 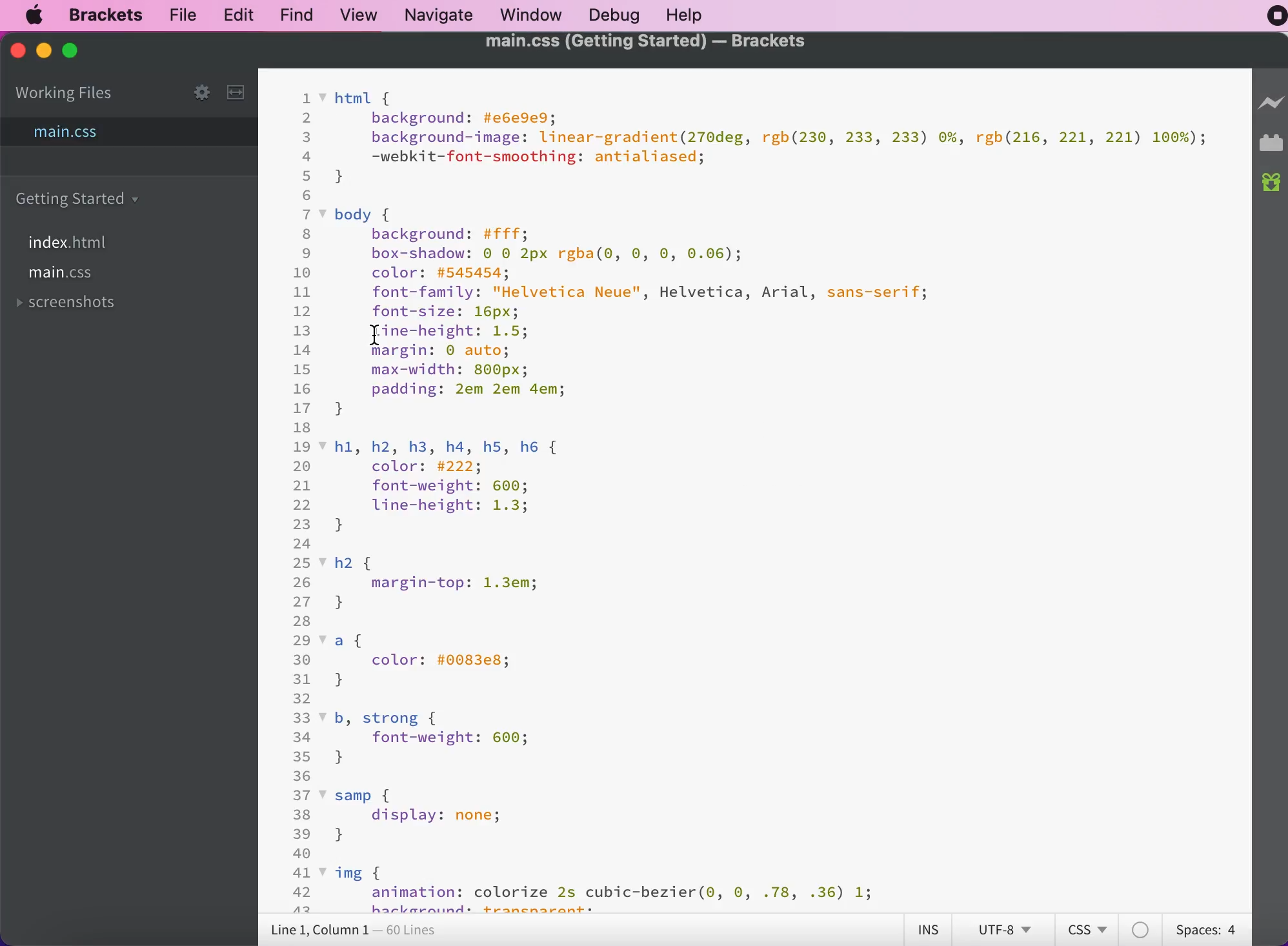 I want to click on index.html, so click(x=85, y=242).